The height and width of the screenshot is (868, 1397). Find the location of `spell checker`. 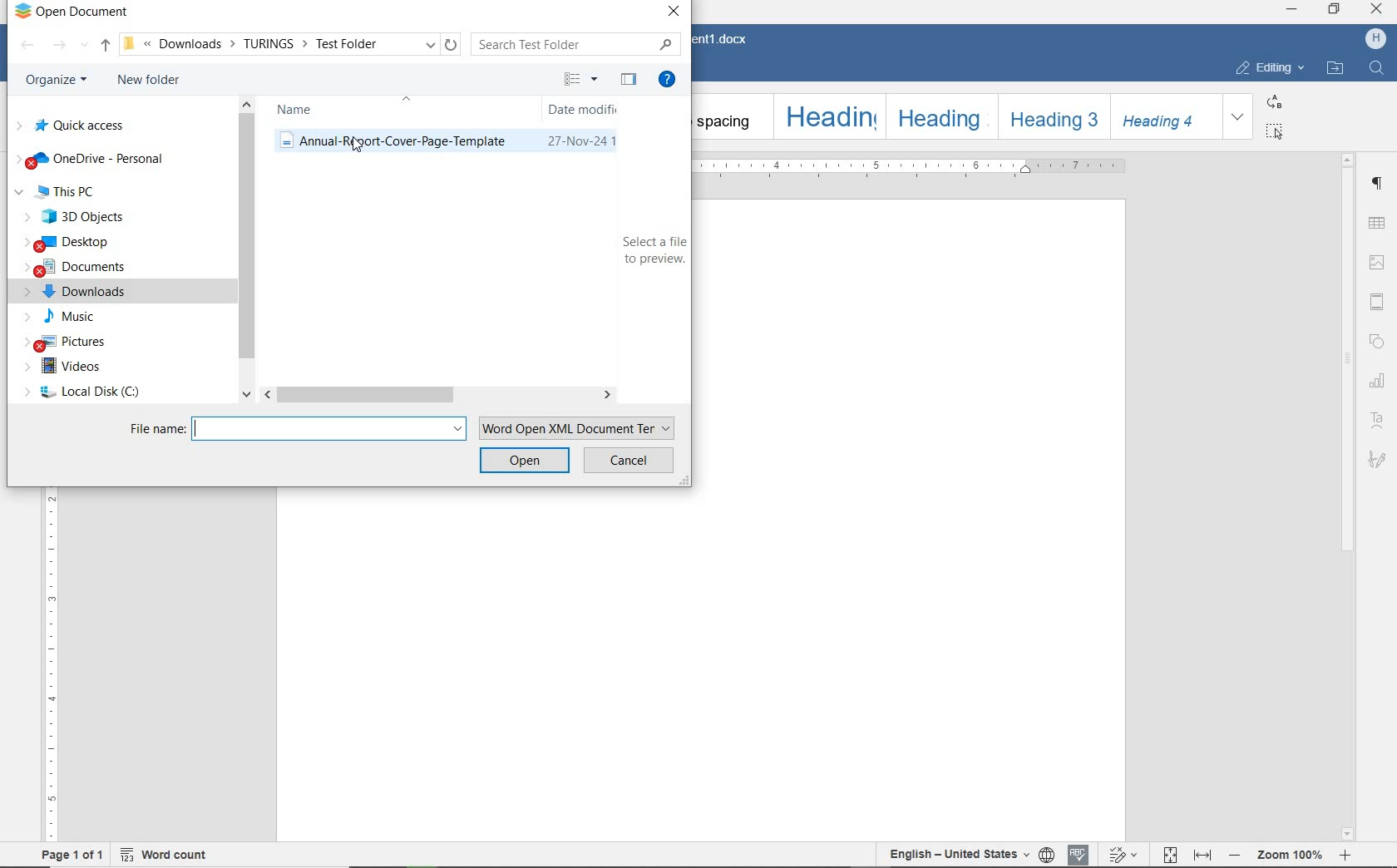

spell checker is located at coordinates (1080, 855).